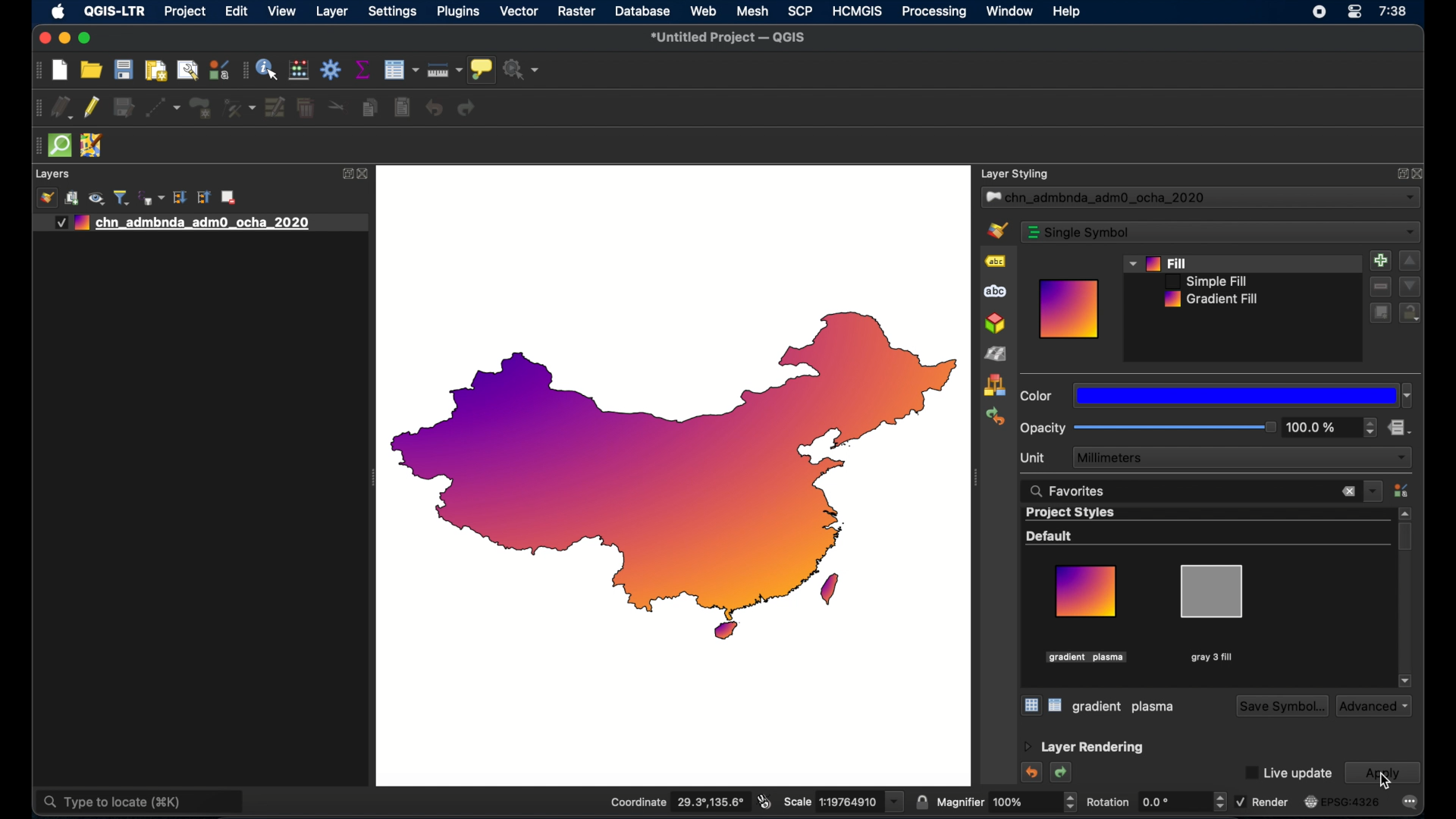 The height and width of the screenshot is (819, 1456). What do you see at coordinates (268, 69) in the screenshot?
I see `identify feature` at bounding box center [268, 69].